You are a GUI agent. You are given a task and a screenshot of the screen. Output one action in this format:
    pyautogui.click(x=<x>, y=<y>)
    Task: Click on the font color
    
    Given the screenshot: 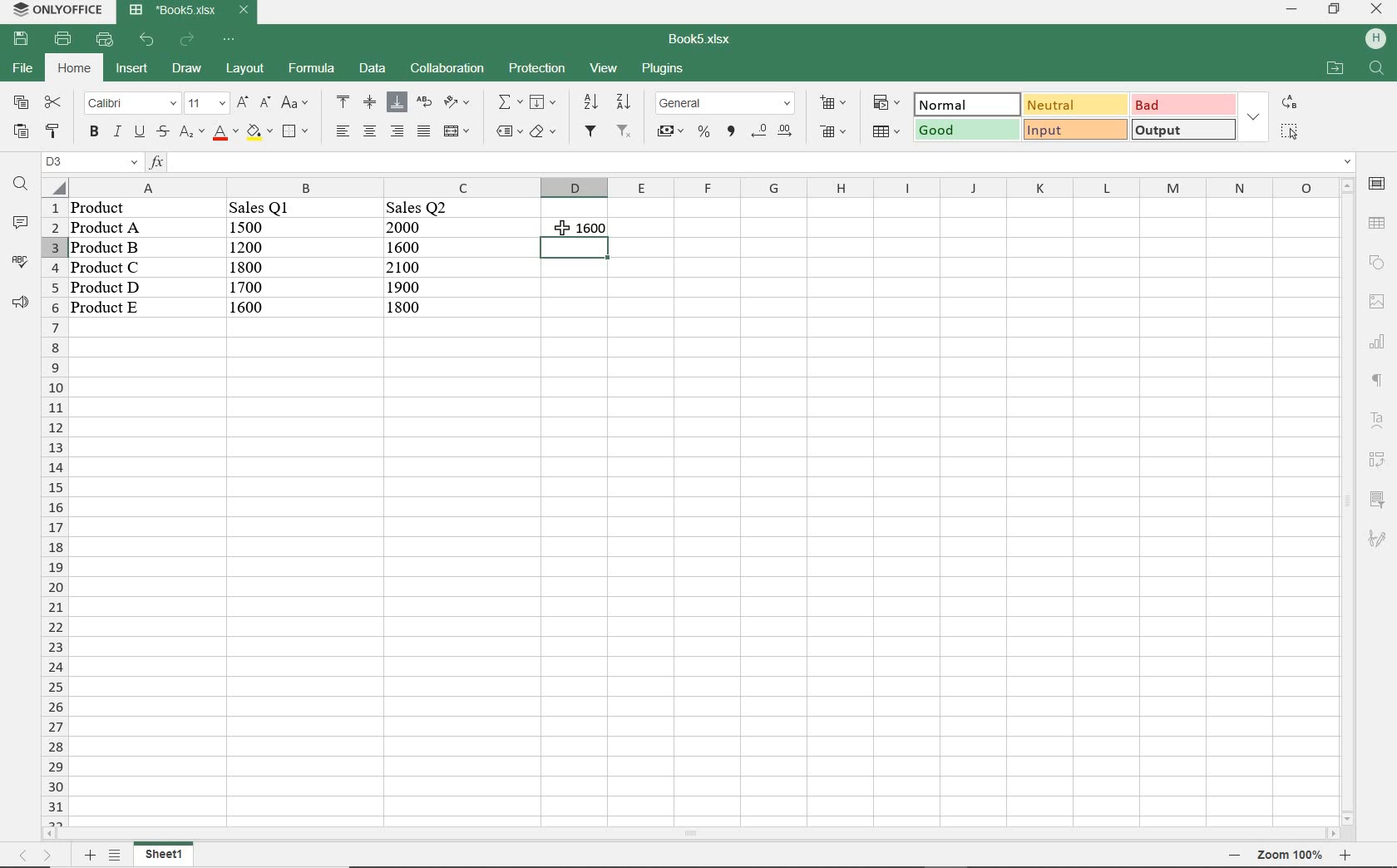 What is the action you would take?
    pyautogui.click(x=222, y=133)
    